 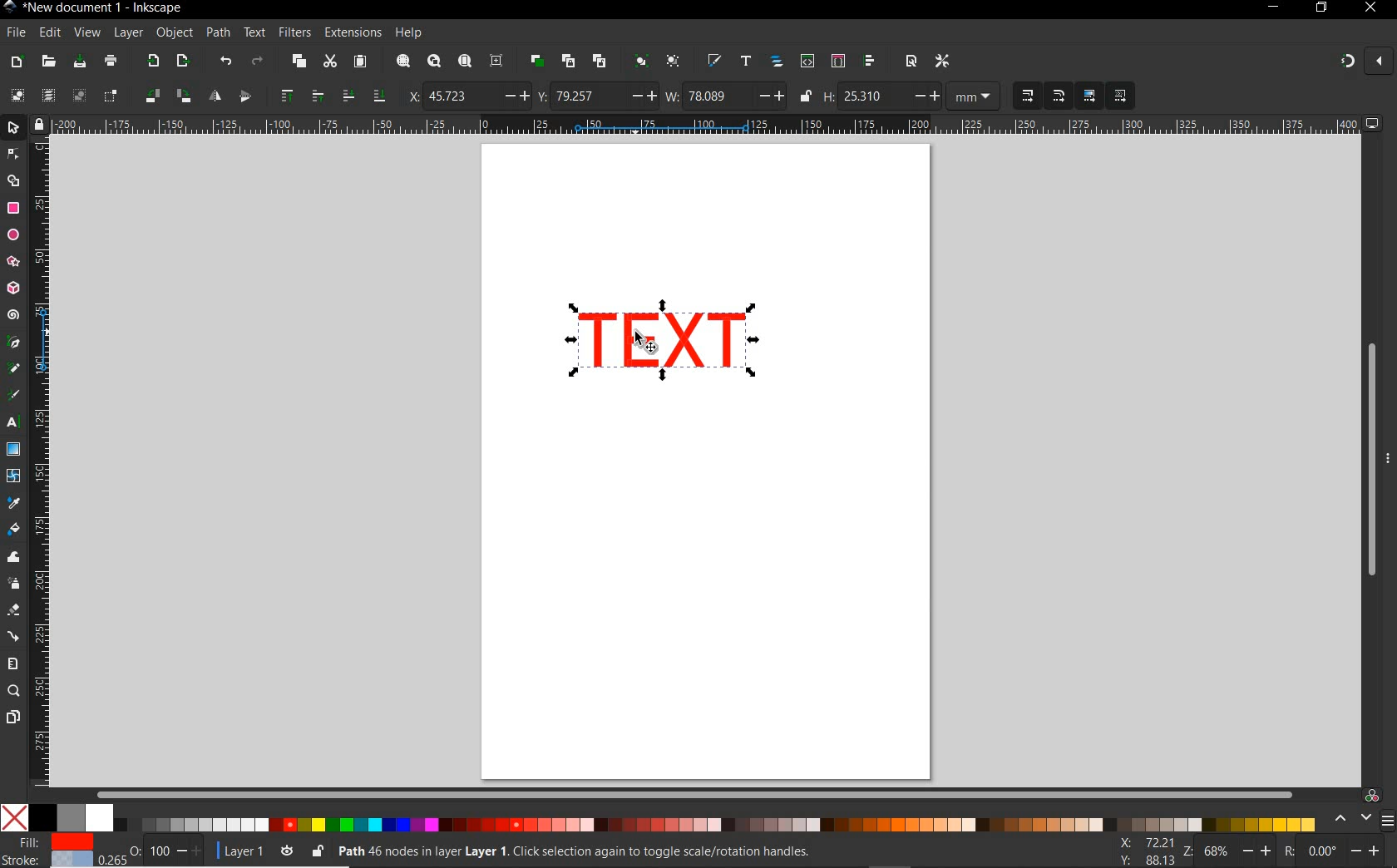 I want to click on , so click(x=1341, y=851).